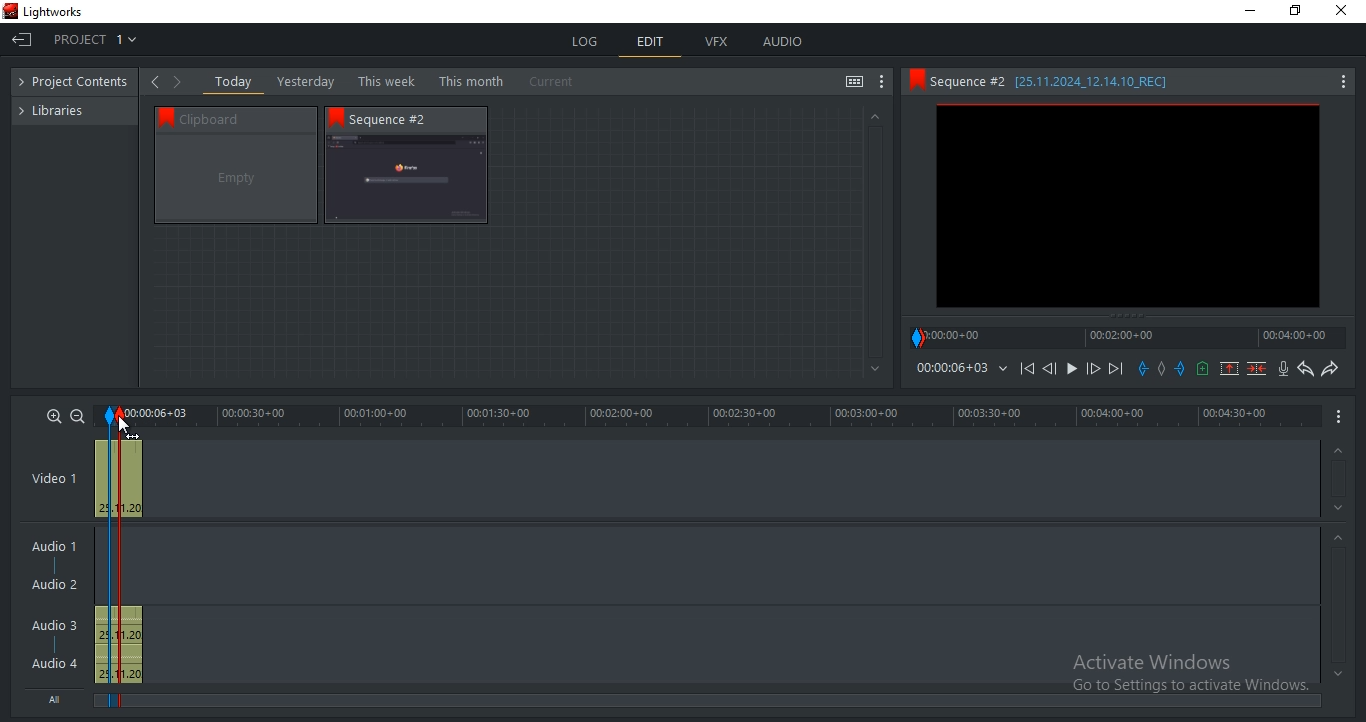 The image size is (1366, 722). What do you see at coordinates (162, 116) in the screenshot?
I see `Bookmark icon` at bounding box center [162, 116].